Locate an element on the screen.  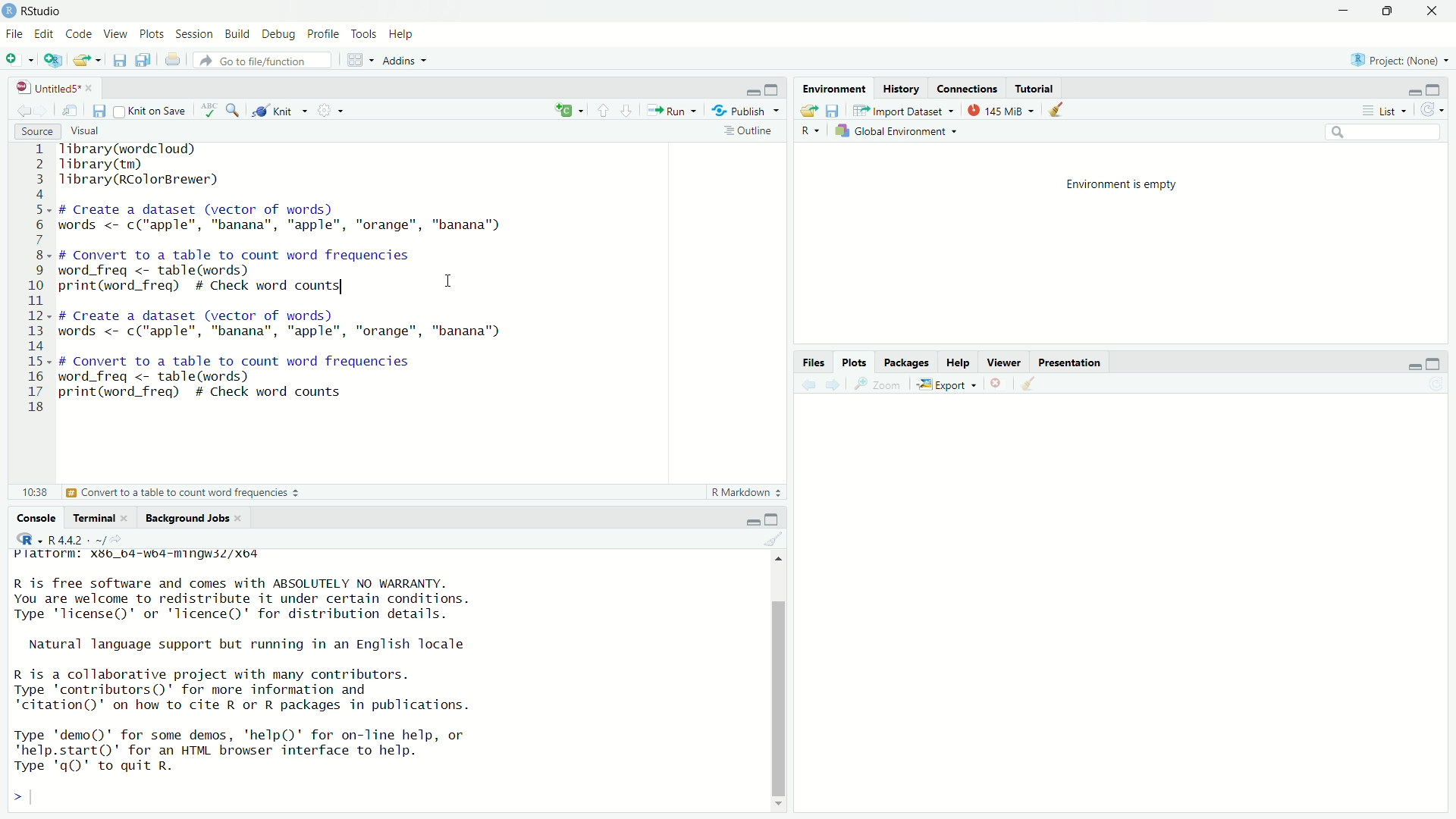
Zoom is located at coordinates (878, 384).